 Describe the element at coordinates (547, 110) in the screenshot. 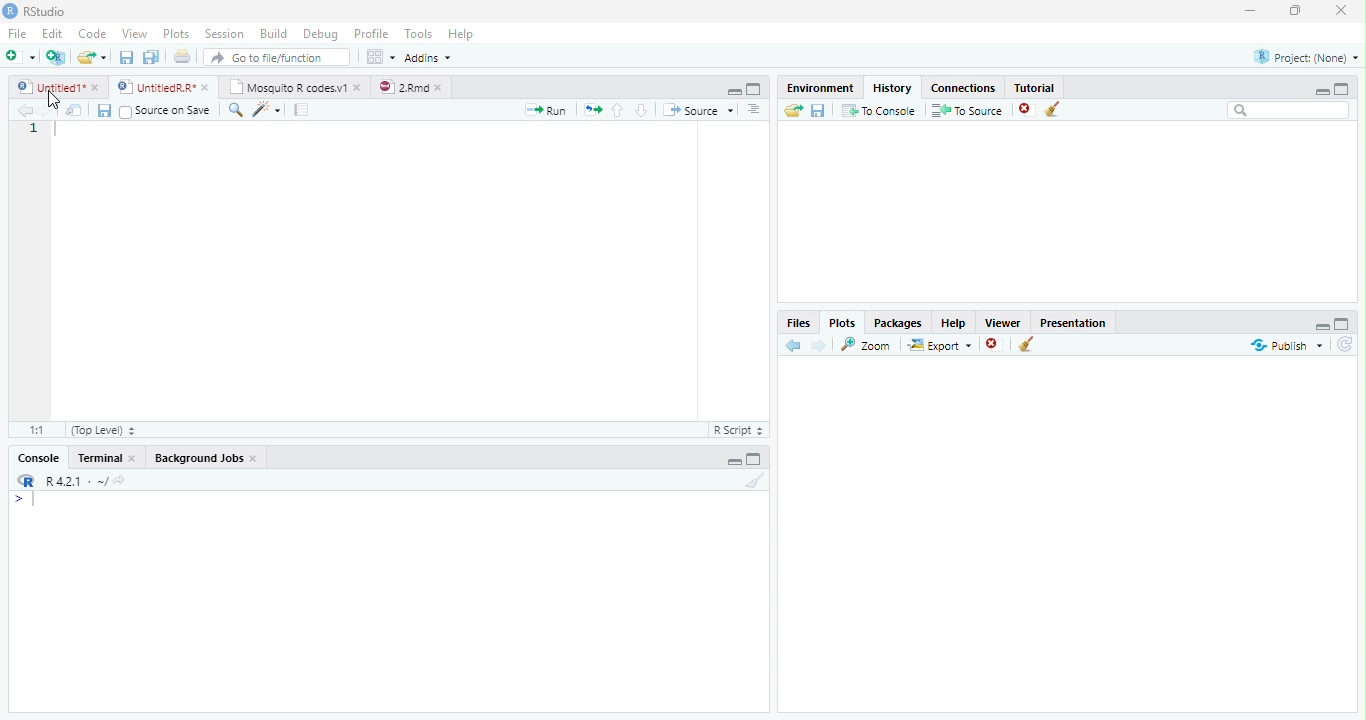

I see `Run` at that location.